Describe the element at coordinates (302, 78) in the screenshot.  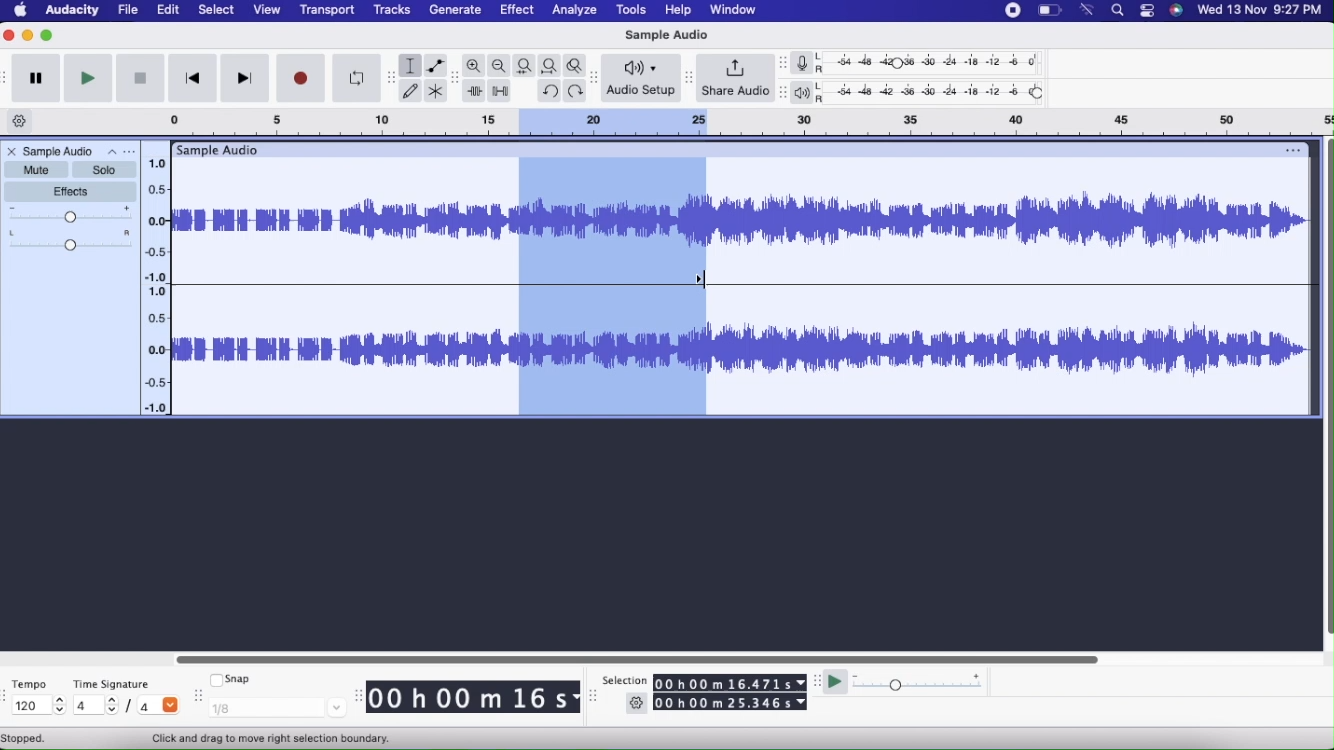
I see `Record` at that location.